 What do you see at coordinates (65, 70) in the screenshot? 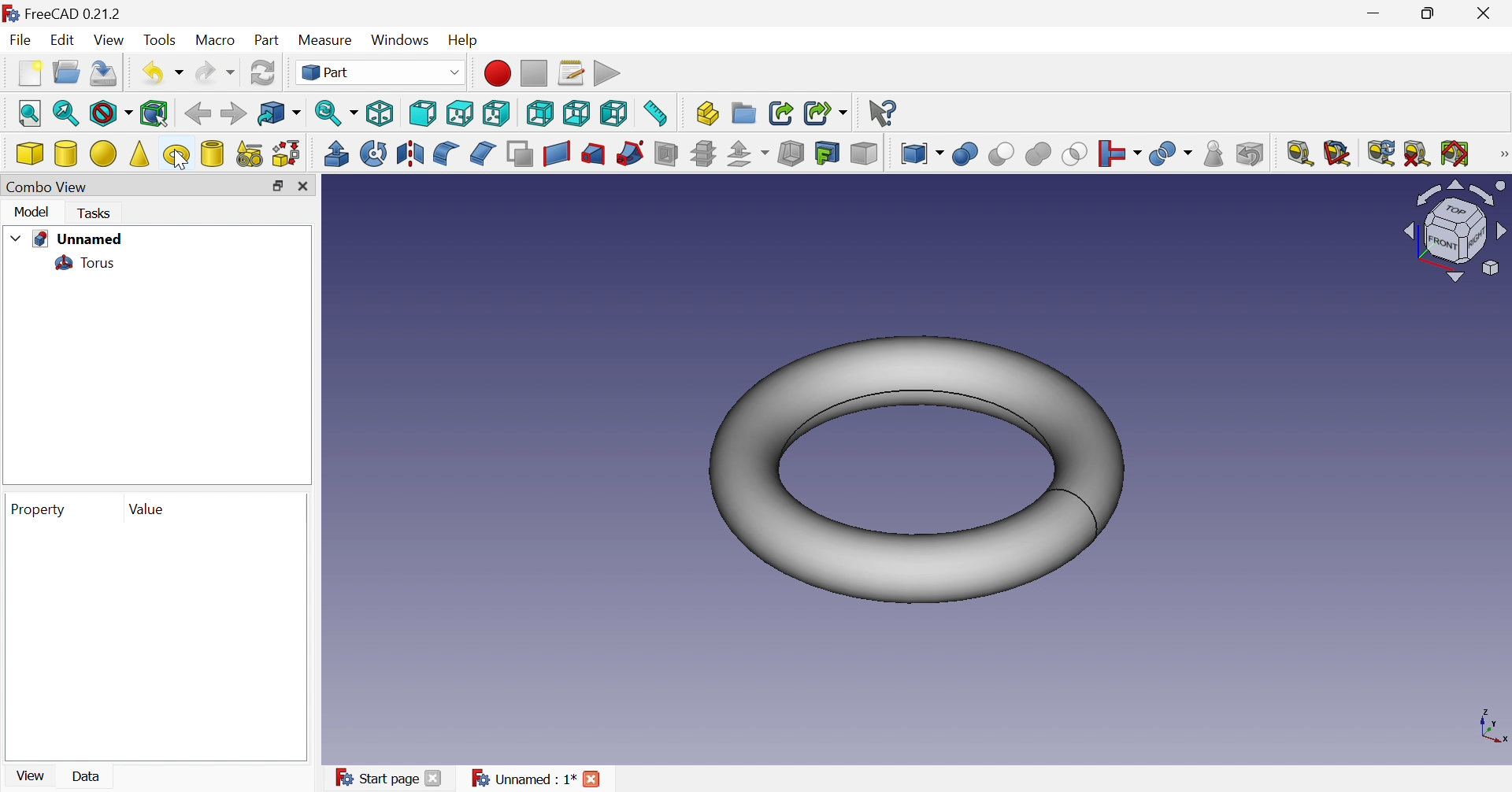
I see `Open` at bounding box center [65, 70].